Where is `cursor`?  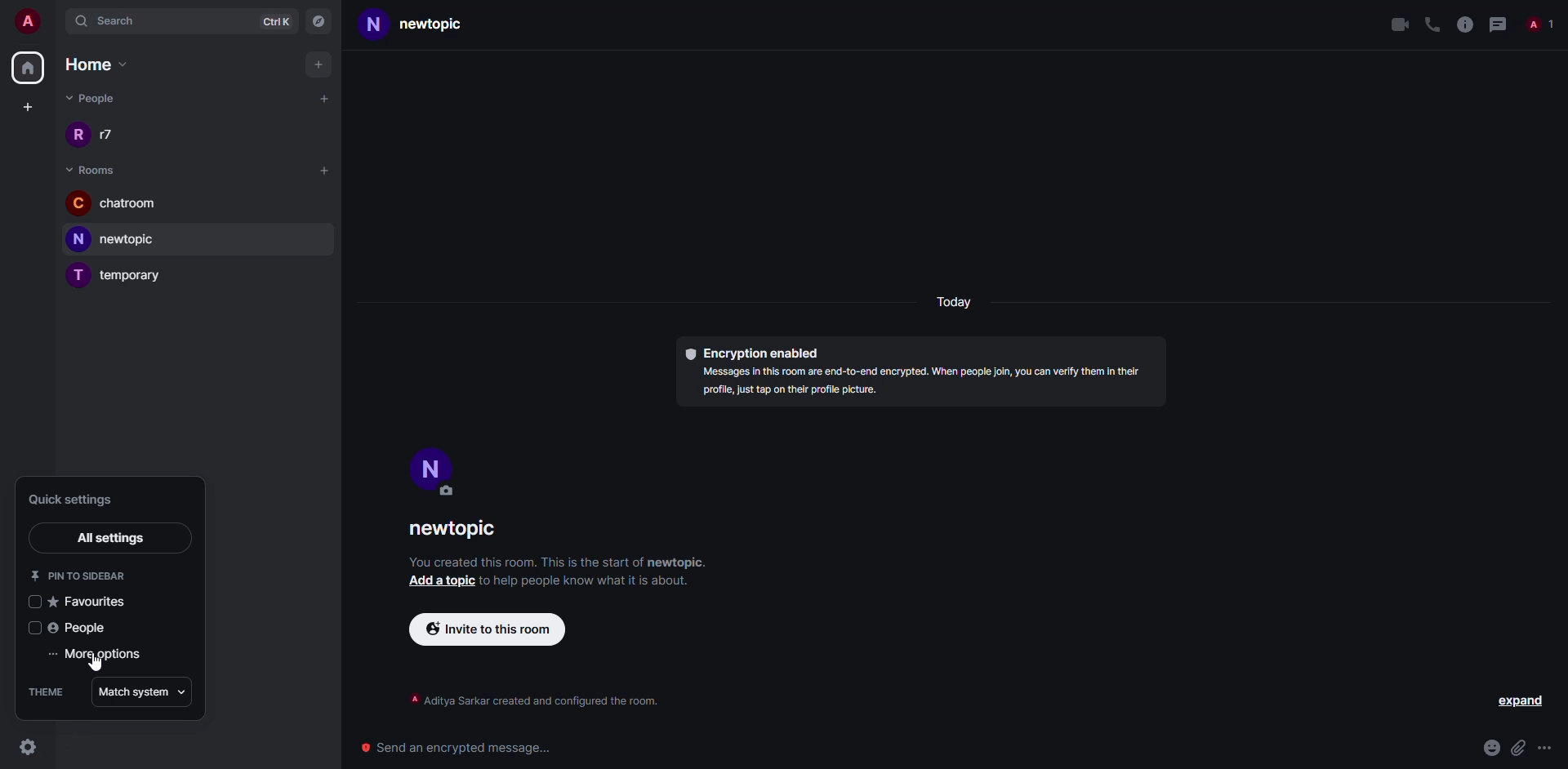
cursor is located at coordinates (99, 662).